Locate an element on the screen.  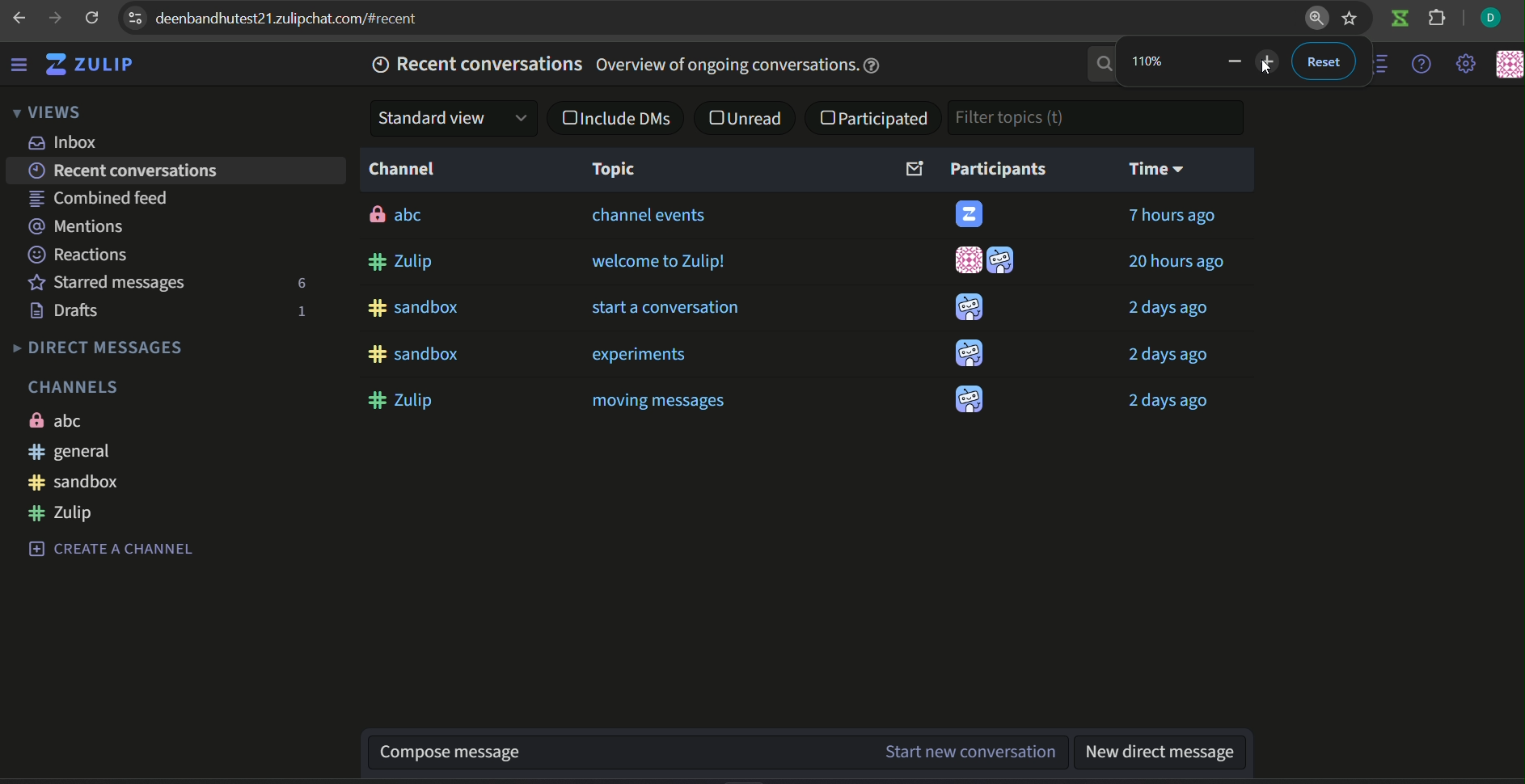
7 hours ago is located at coordinates (1172, 216).